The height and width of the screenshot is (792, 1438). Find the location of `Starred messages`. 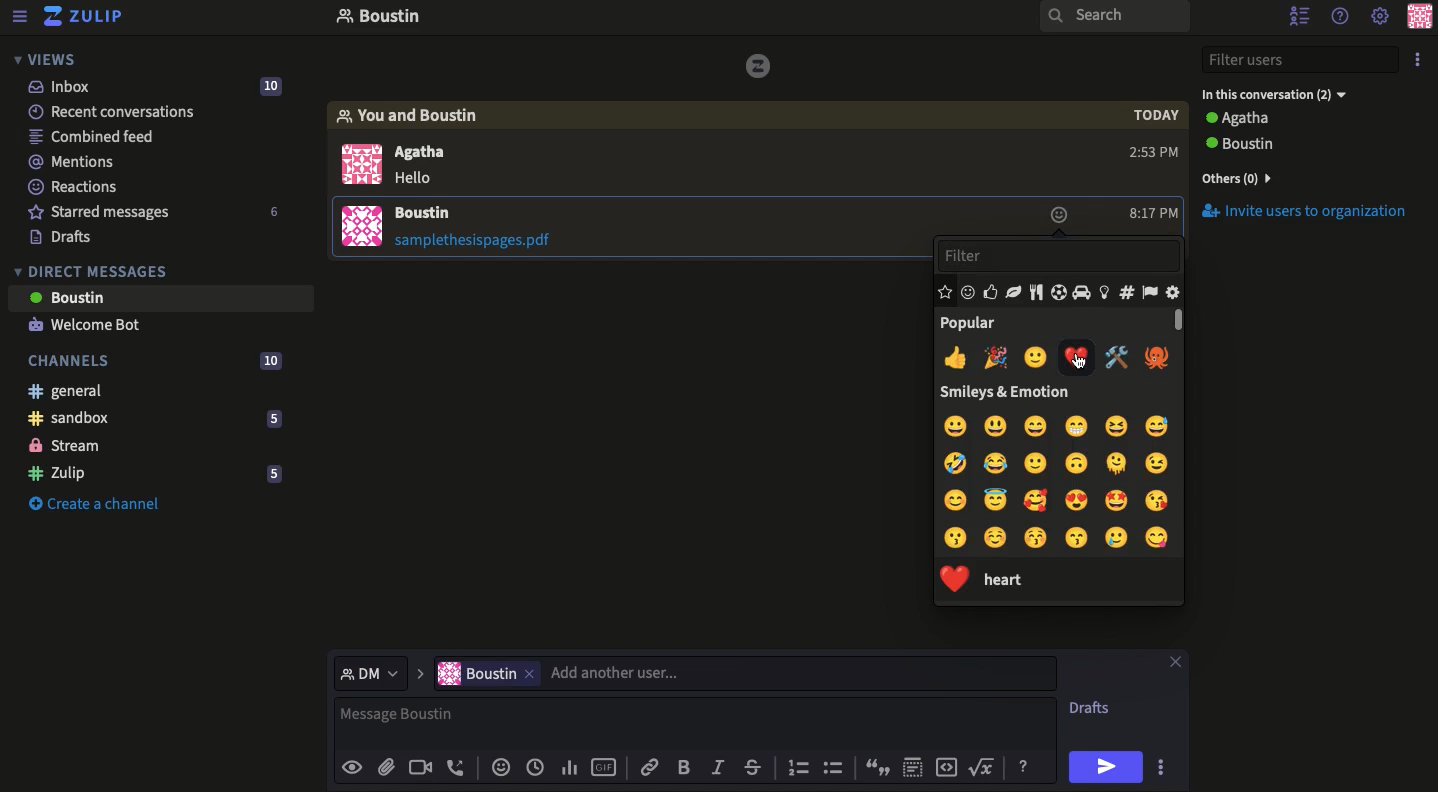

Starred messages is located at coordinates (155, 213).